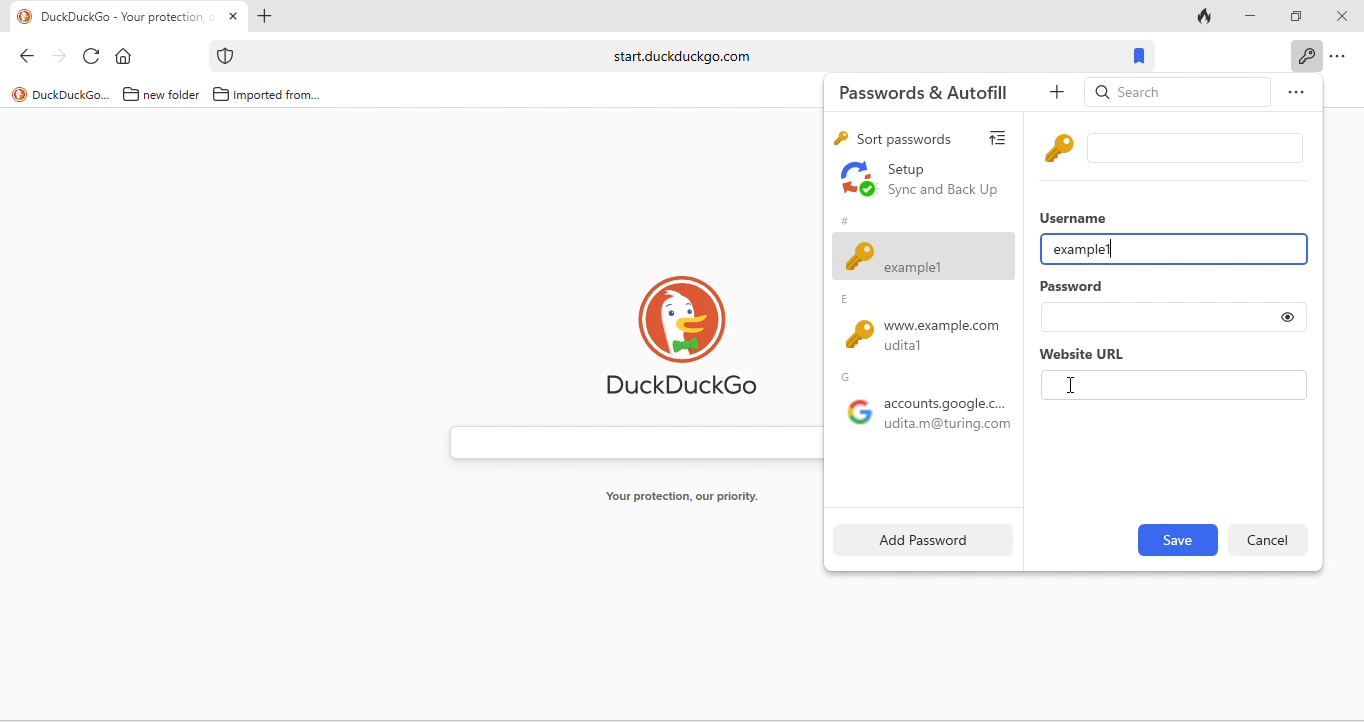  Describe the element at coordinates (683, 333) in the screenshot. I see `duck duck go logo` at that location.